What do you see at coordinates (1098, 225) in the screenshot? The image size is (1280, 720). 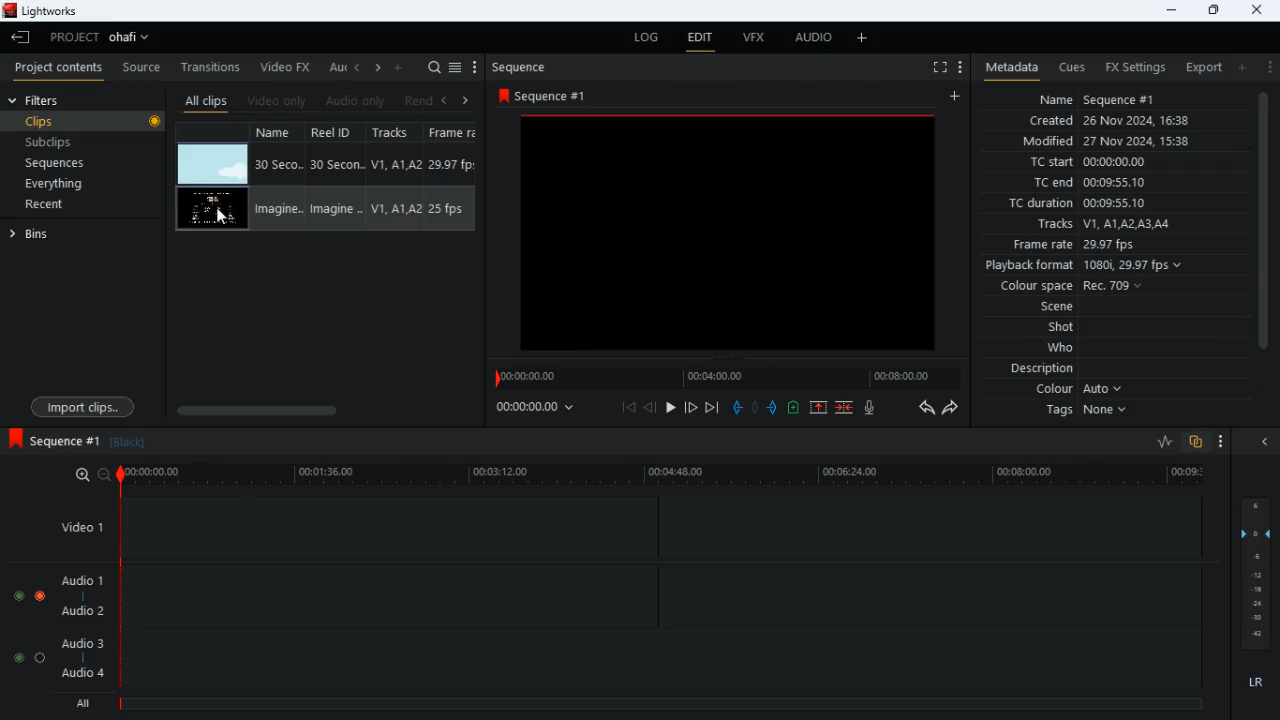 I see `tracks` at bounding box center [1098, 225].